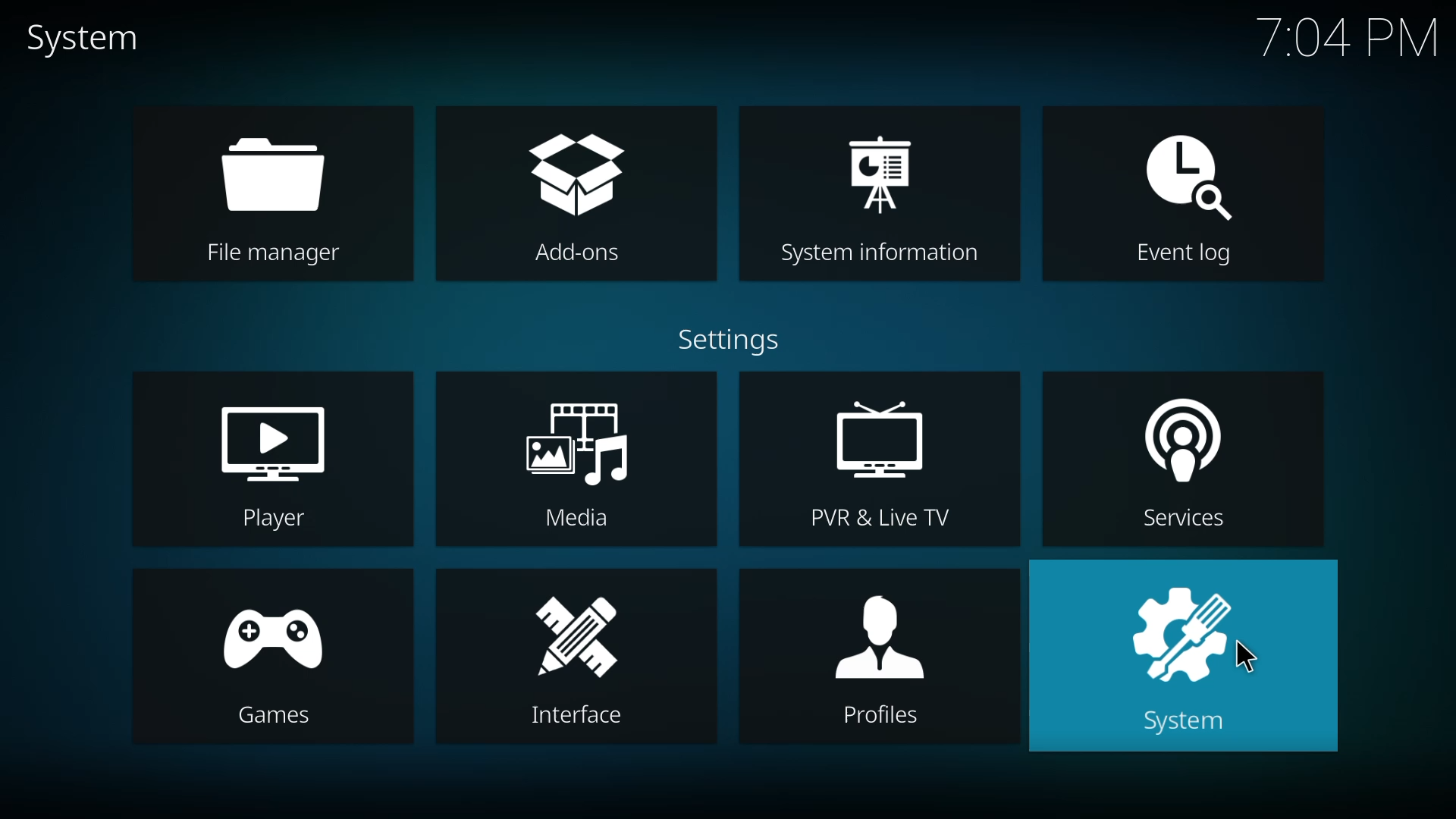 Image resolution: width=1456 pixels, height=819 pixels. I want to click on profiles, so click(885, 661).